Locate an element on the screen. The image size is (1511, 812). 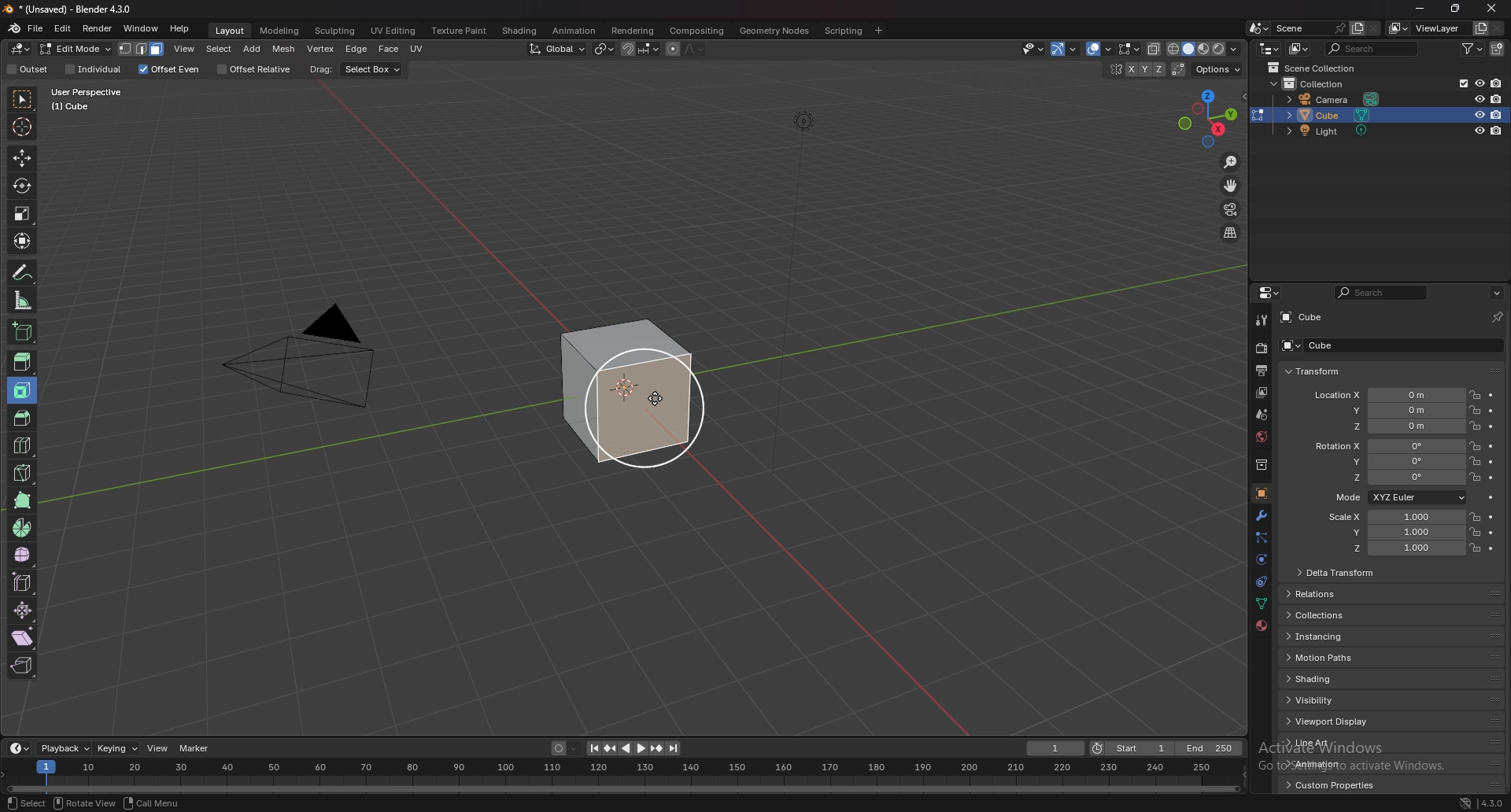
keying is located at coordinates (118, 748).